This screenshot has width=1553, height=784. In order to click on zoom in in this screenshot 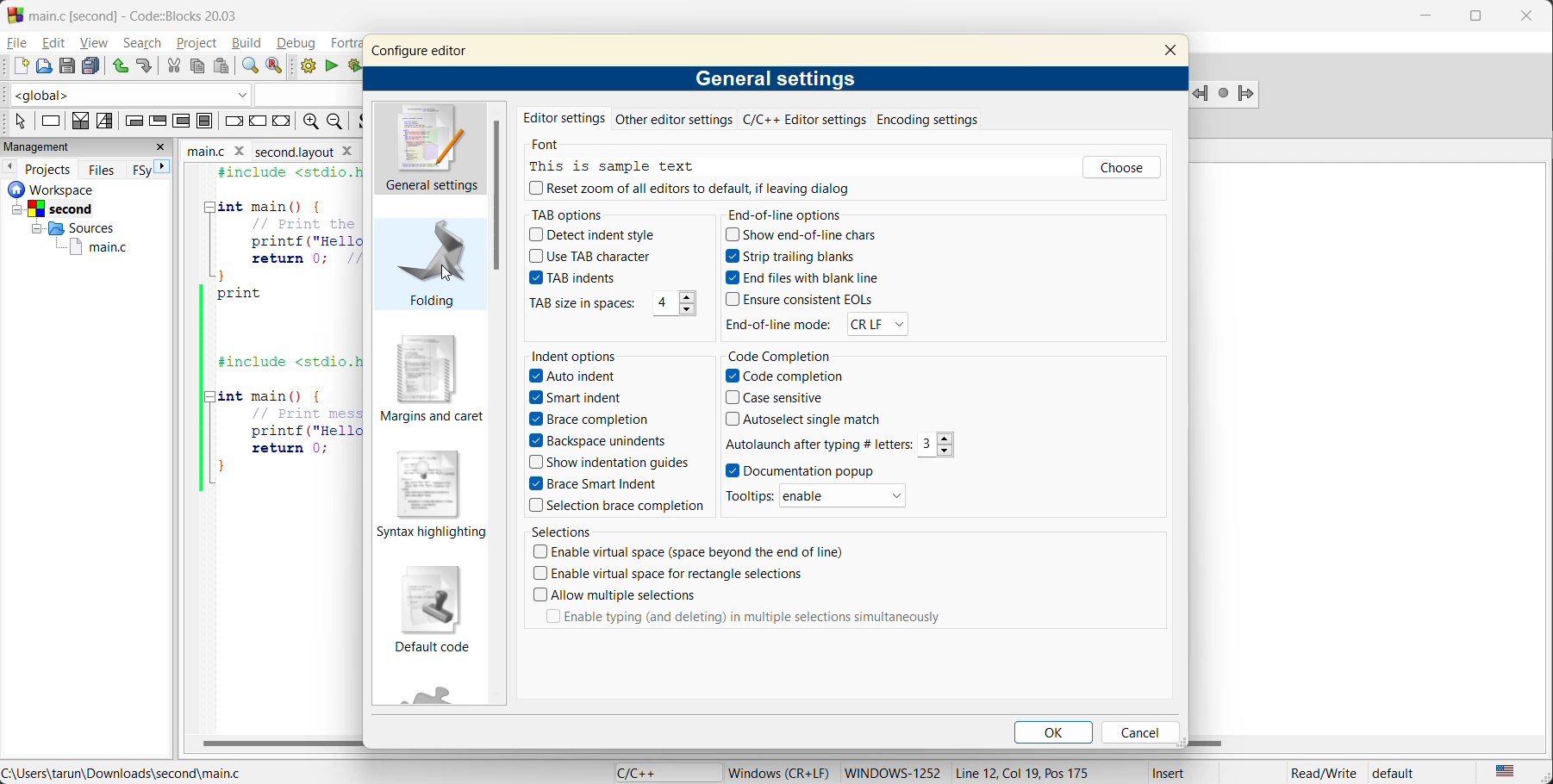, I will do `click(309, 121)`.